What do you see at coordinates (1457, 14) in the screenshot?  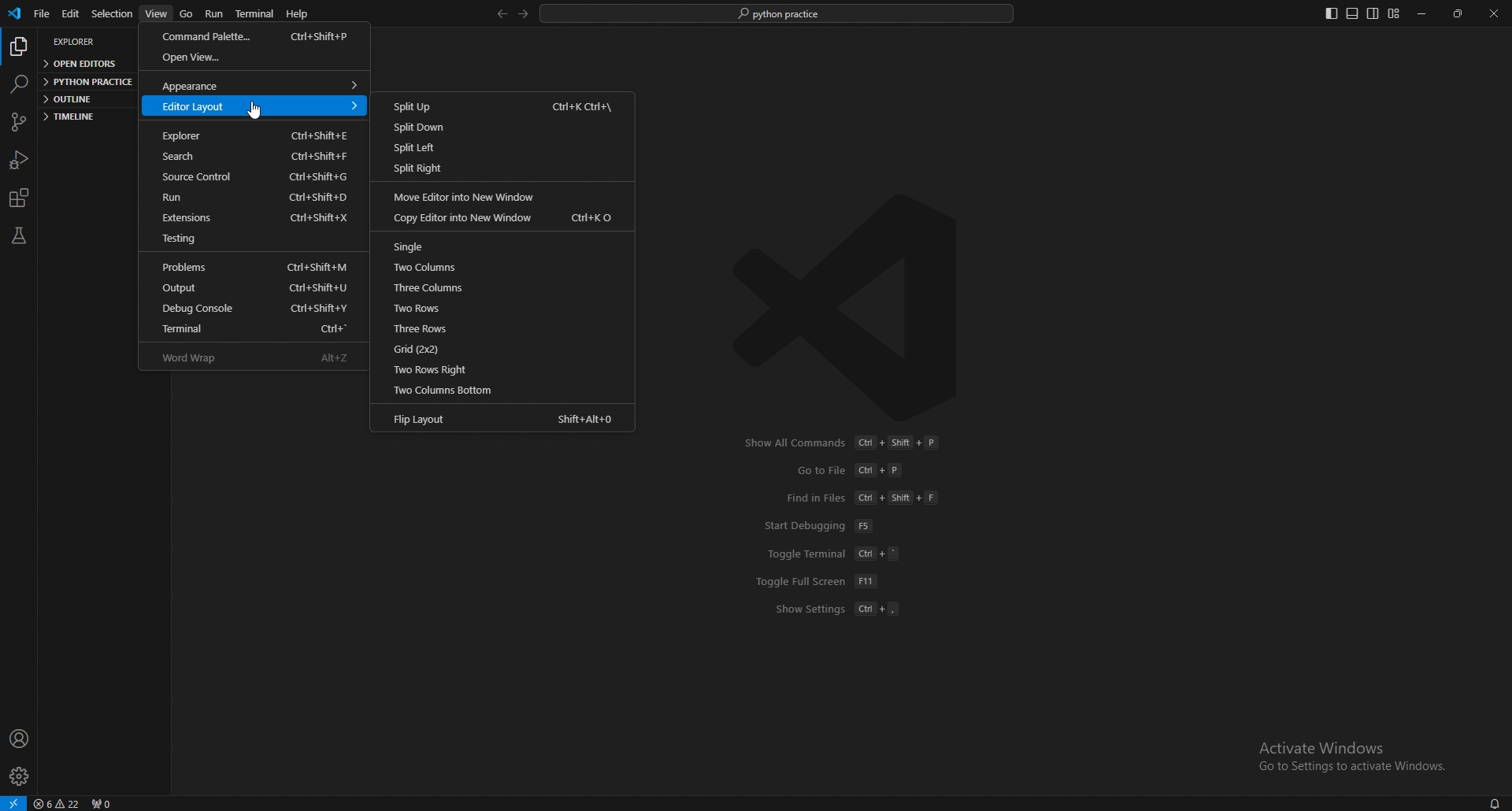 I see `resize` at bounding box center [1457, 14].